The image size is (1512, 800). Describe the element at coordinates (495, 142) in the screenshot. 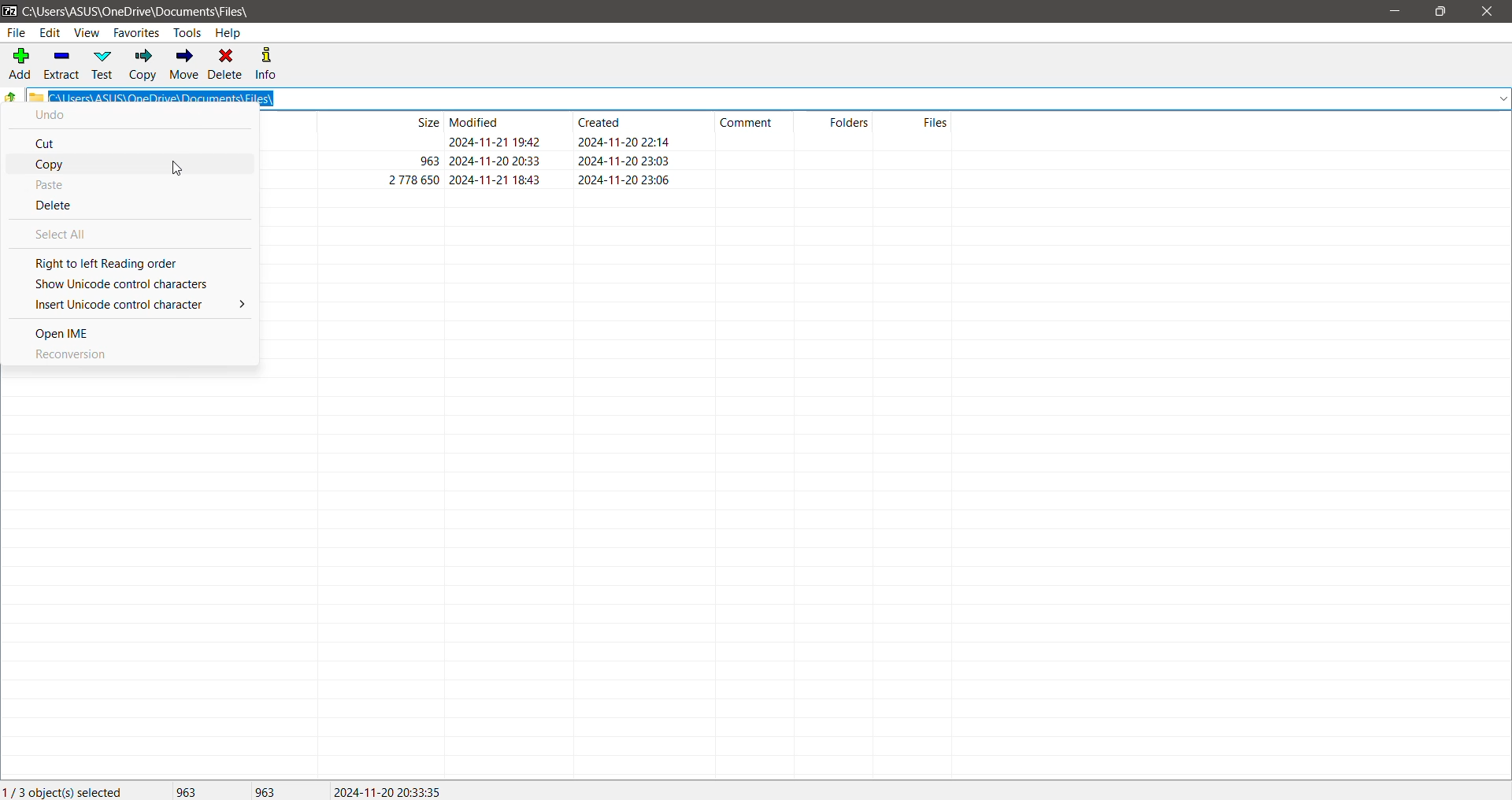

I see `modified date & time` at that location.